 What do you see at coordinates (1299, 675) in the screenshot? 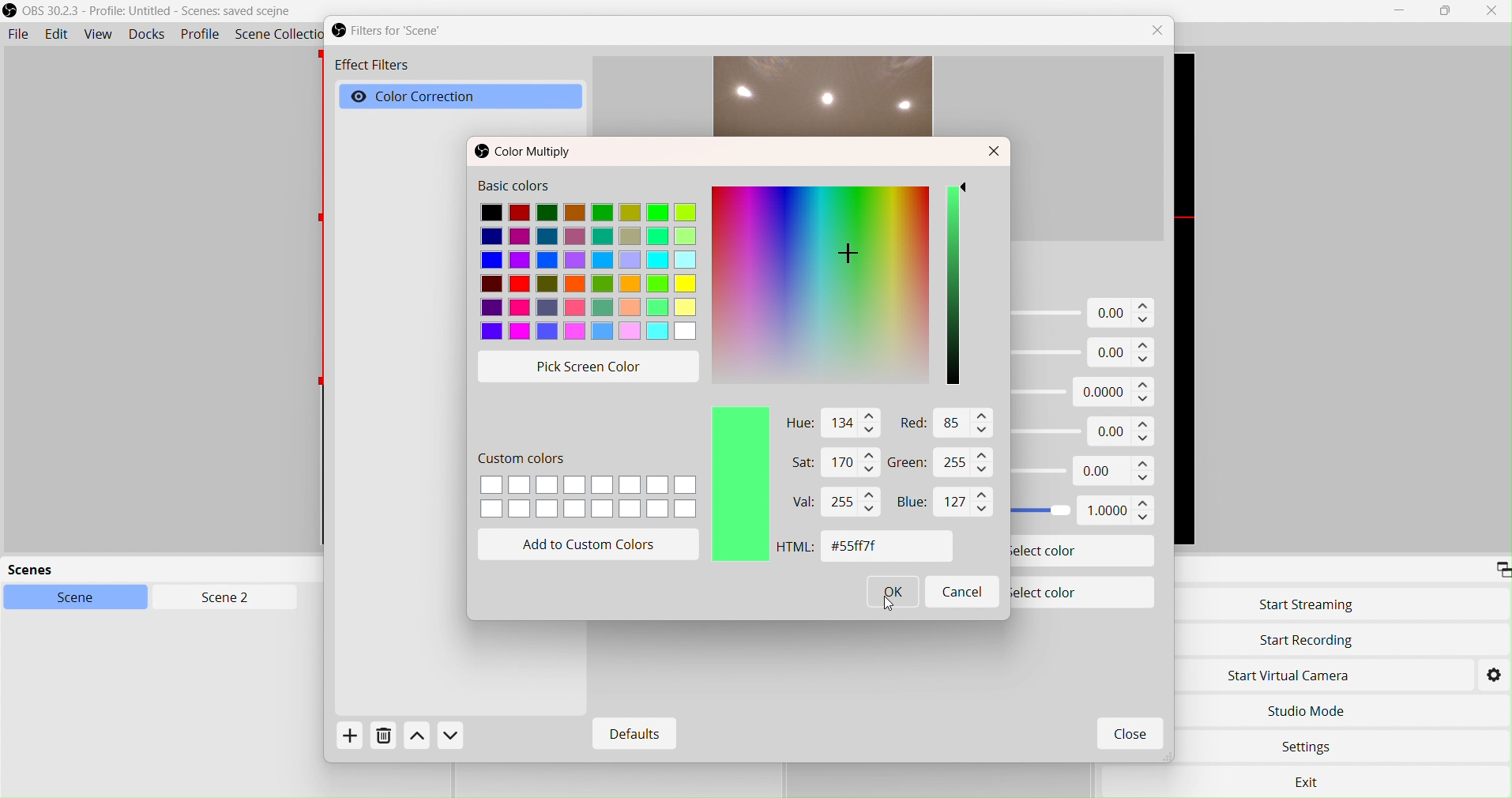
I see `Start Virtual Camera` at bounding box center [1299, 675].